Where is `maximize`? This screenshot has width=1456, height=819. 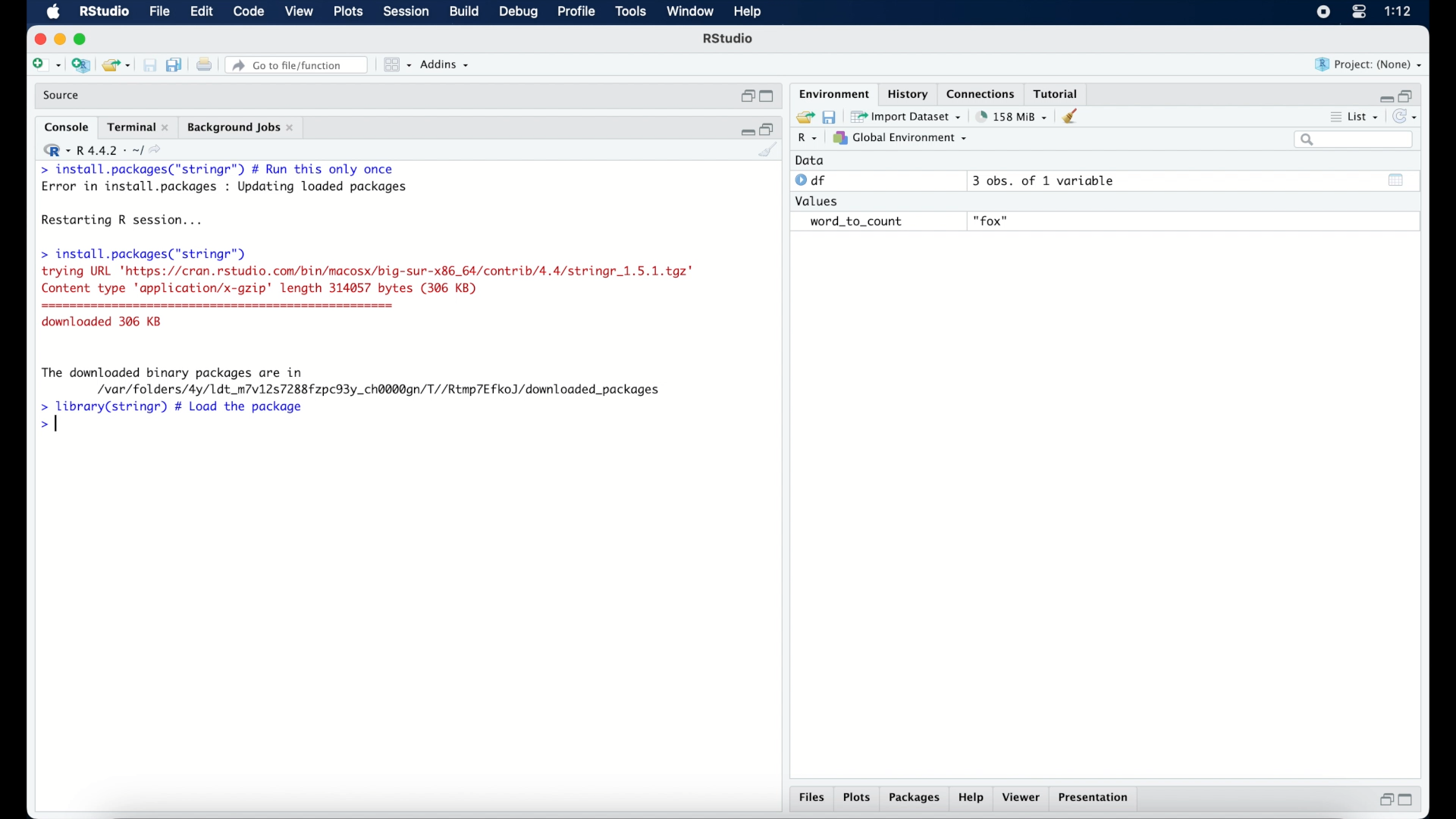 maximize is located at coordinates (769, 97).